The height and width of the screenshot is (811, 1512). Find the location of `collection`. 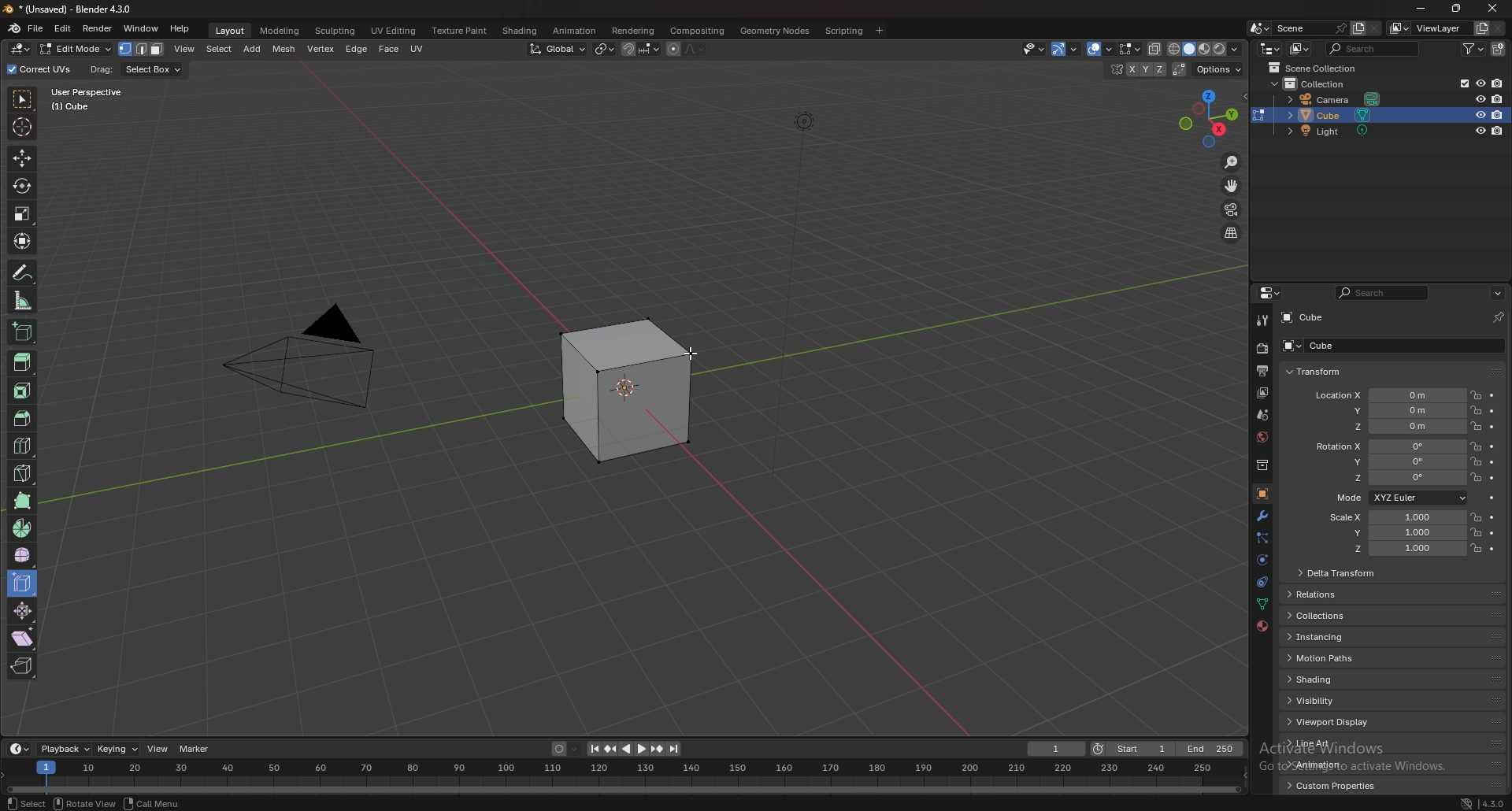

collection is located at coordinates (1317, 83).